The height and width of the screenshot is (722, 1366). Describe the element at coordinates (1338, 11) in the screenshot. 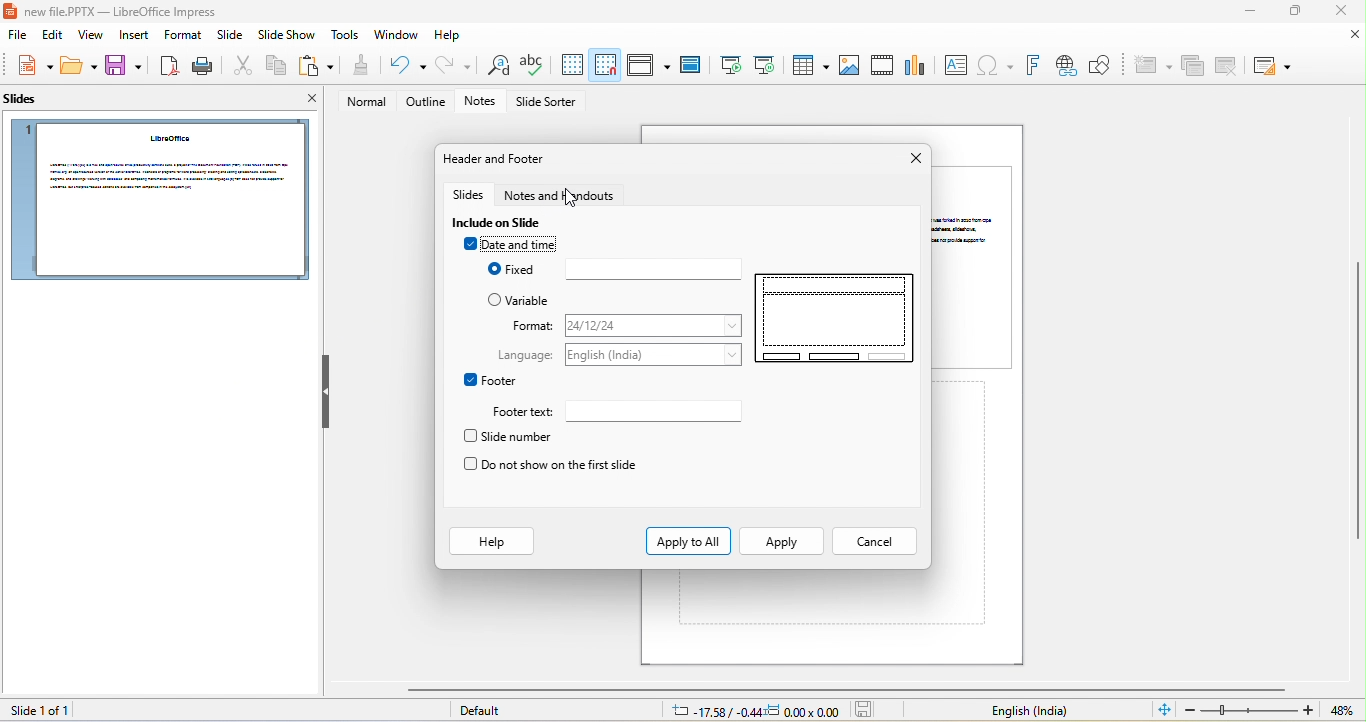

I see `close` at that location.